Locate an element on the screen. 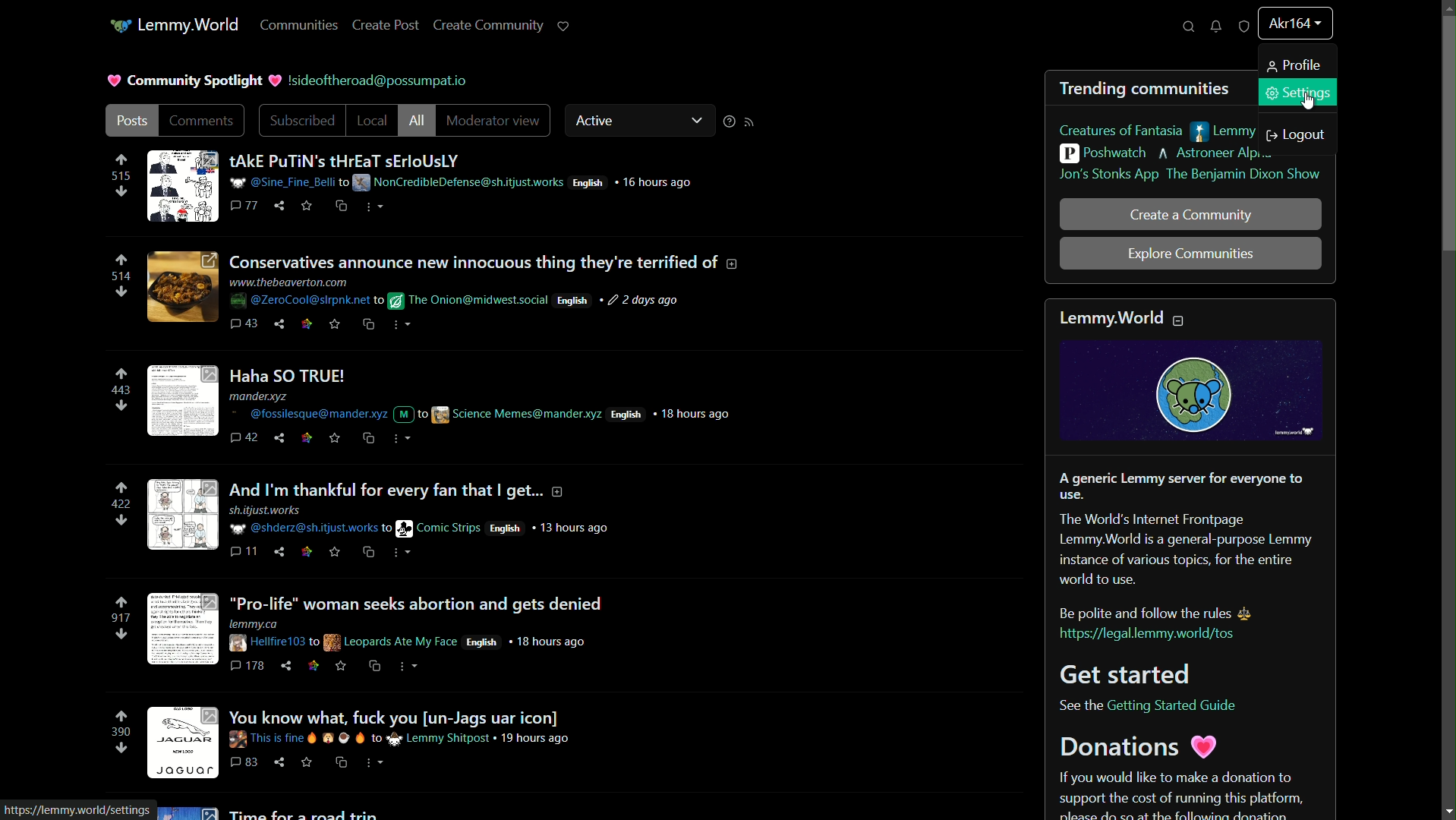  post-5 is located at coordinates (373, 635).